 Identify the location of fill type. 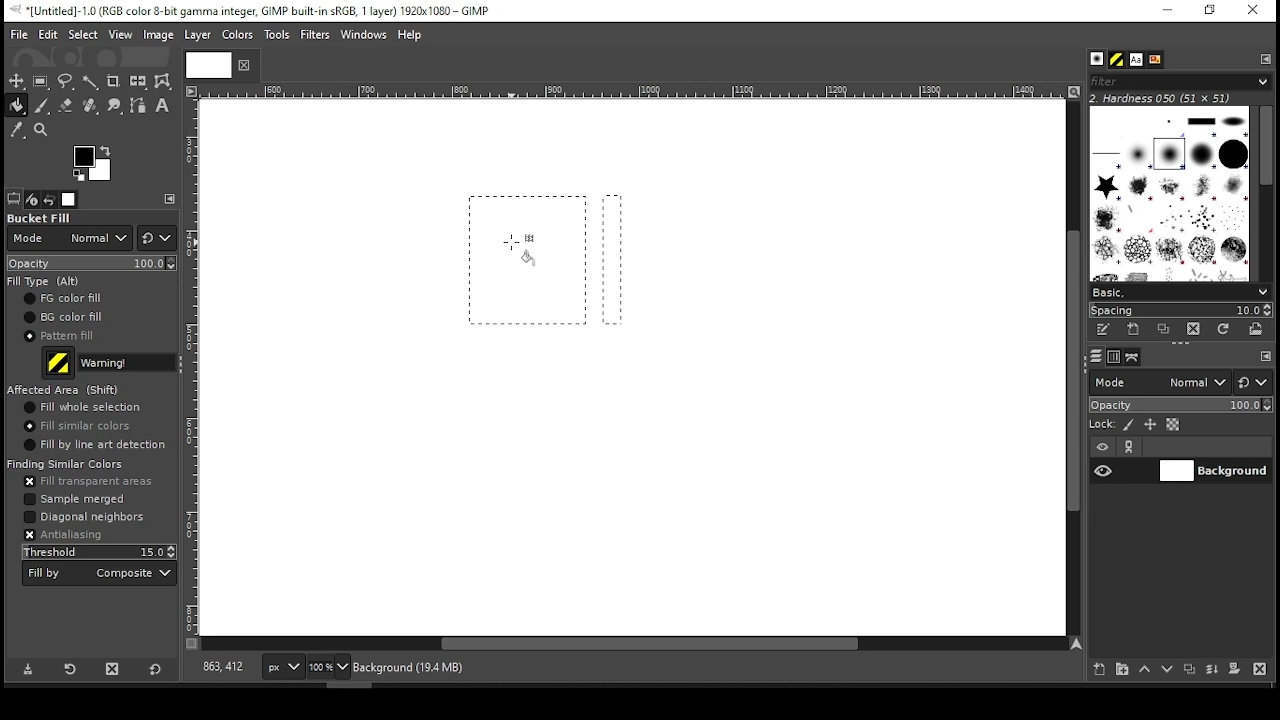
(47, 281).